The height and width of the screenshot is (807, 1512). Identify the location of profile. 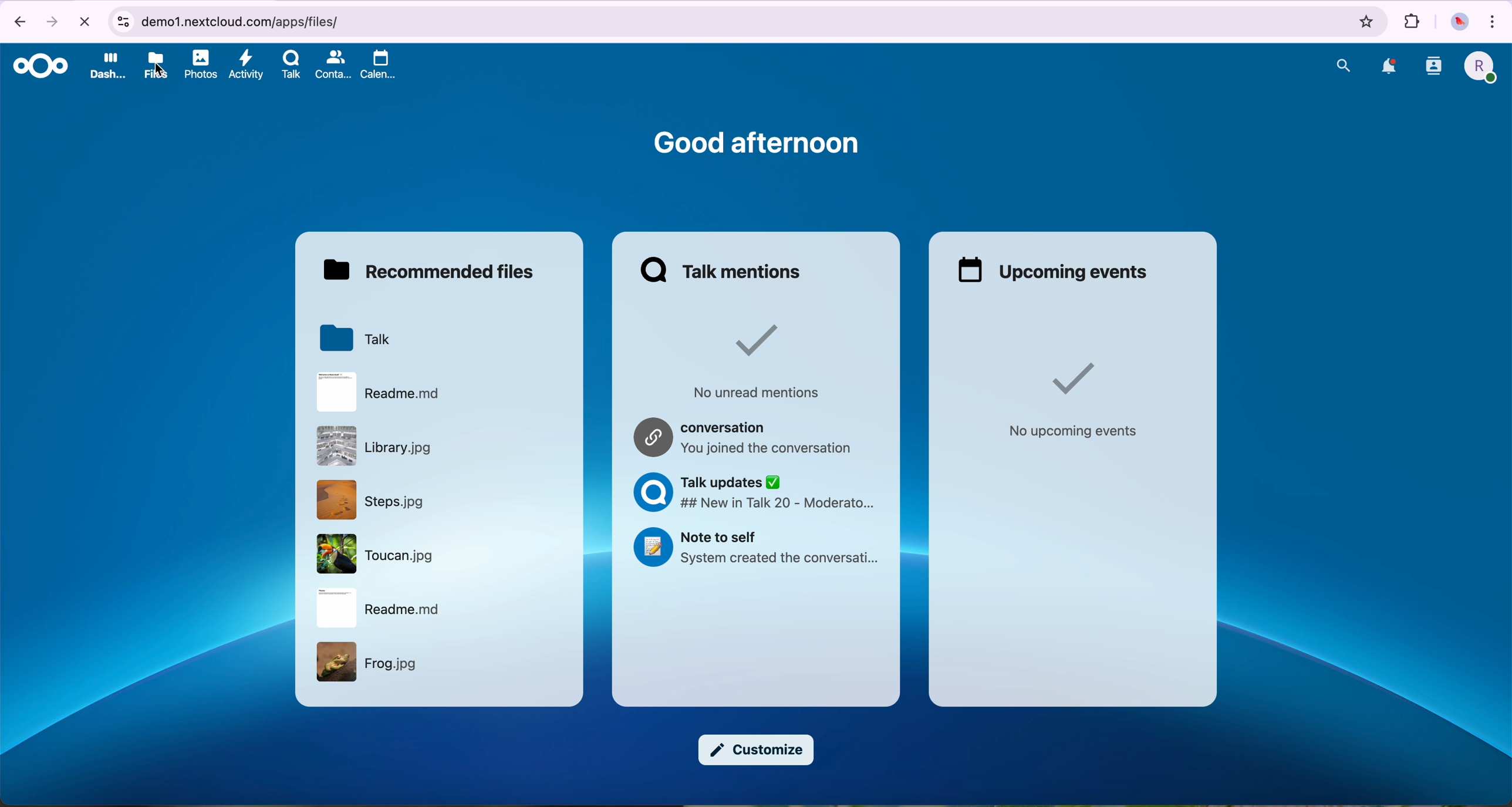
(1478, 70).